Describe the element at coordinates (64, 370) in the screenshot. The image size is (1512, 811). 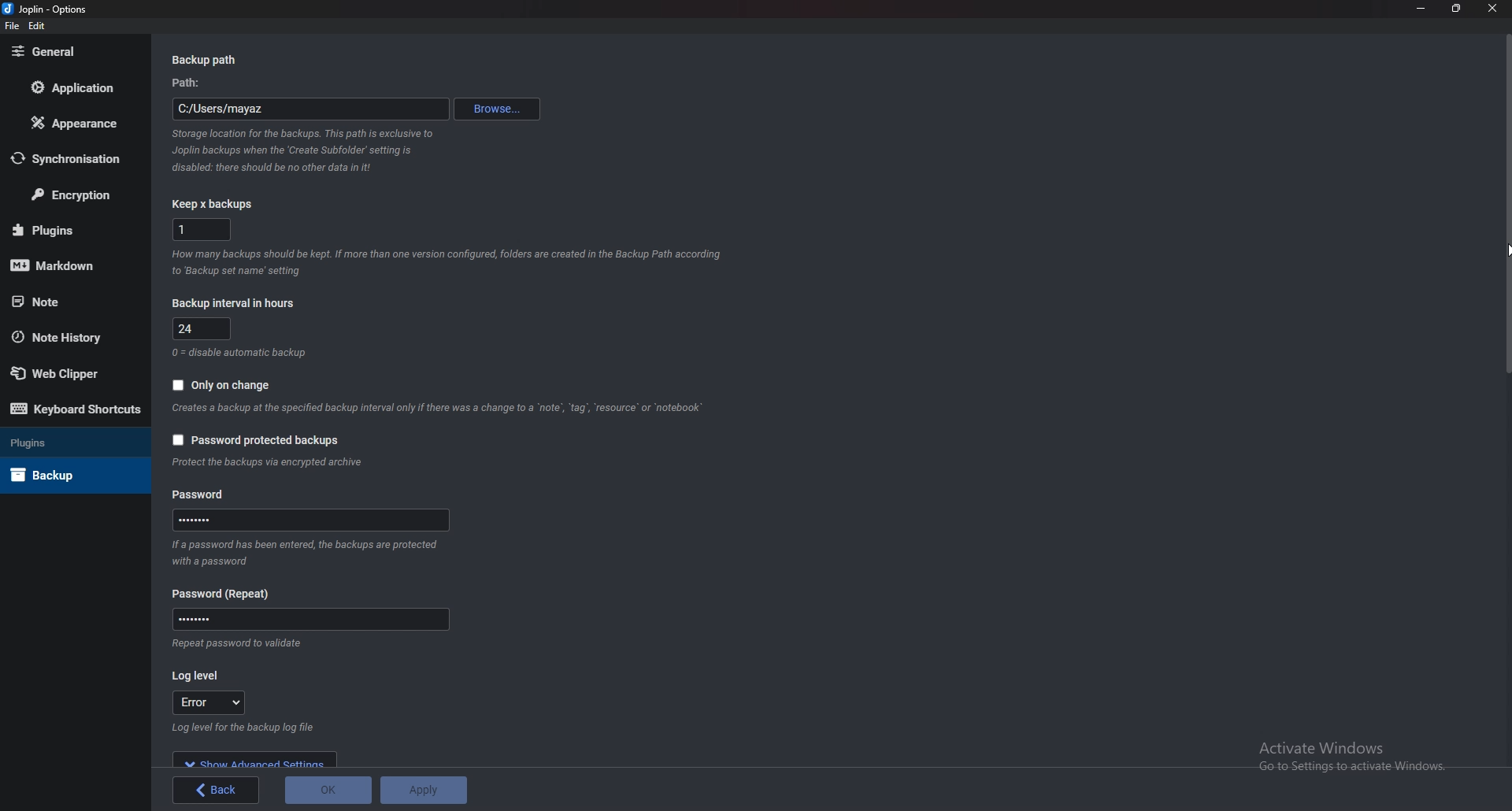
I see `Web Clipper` at that location.